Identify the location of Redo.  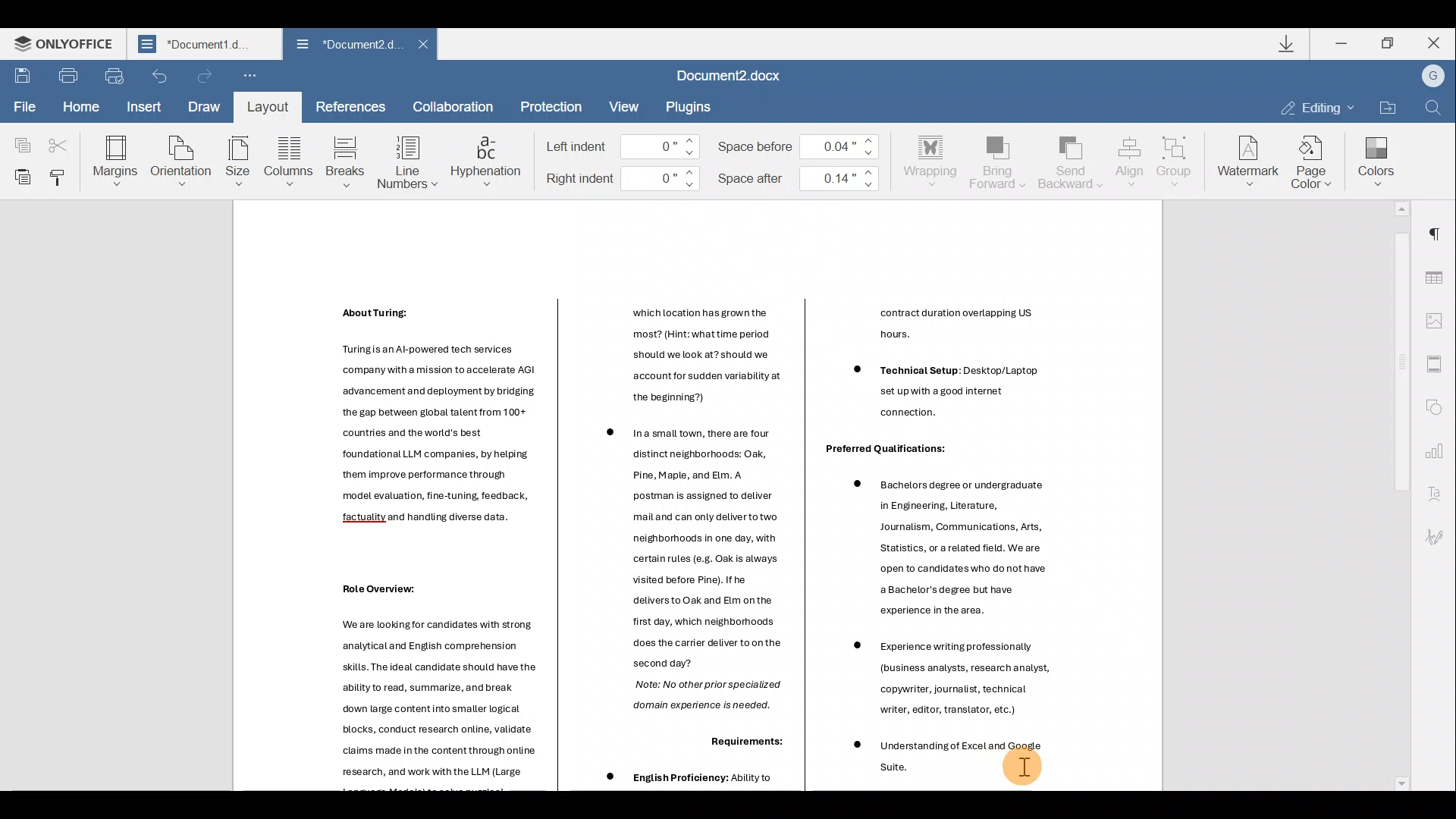
(206, 77).